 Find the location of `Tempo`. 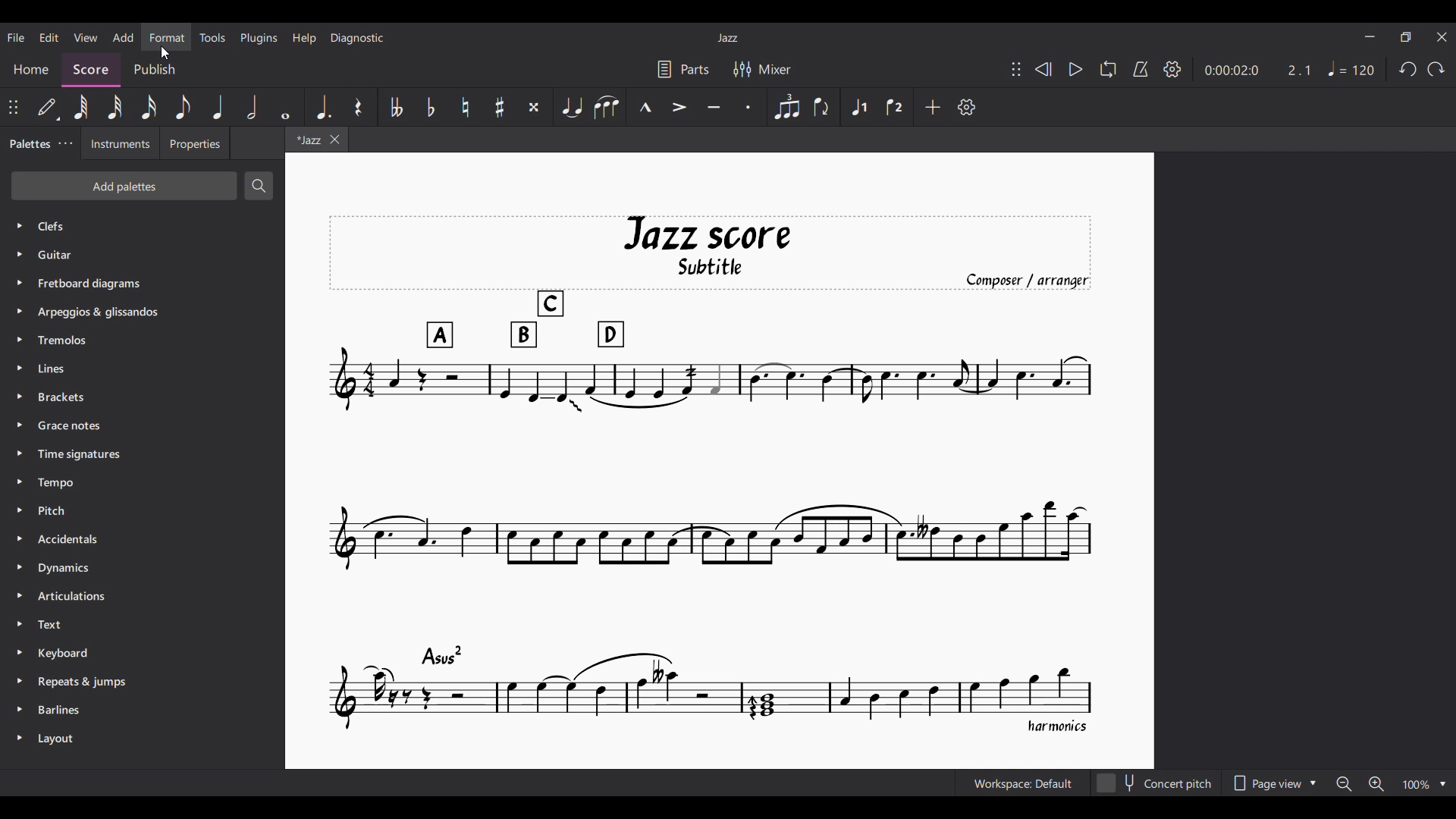

Tempo is located at coordinates (56, 482).